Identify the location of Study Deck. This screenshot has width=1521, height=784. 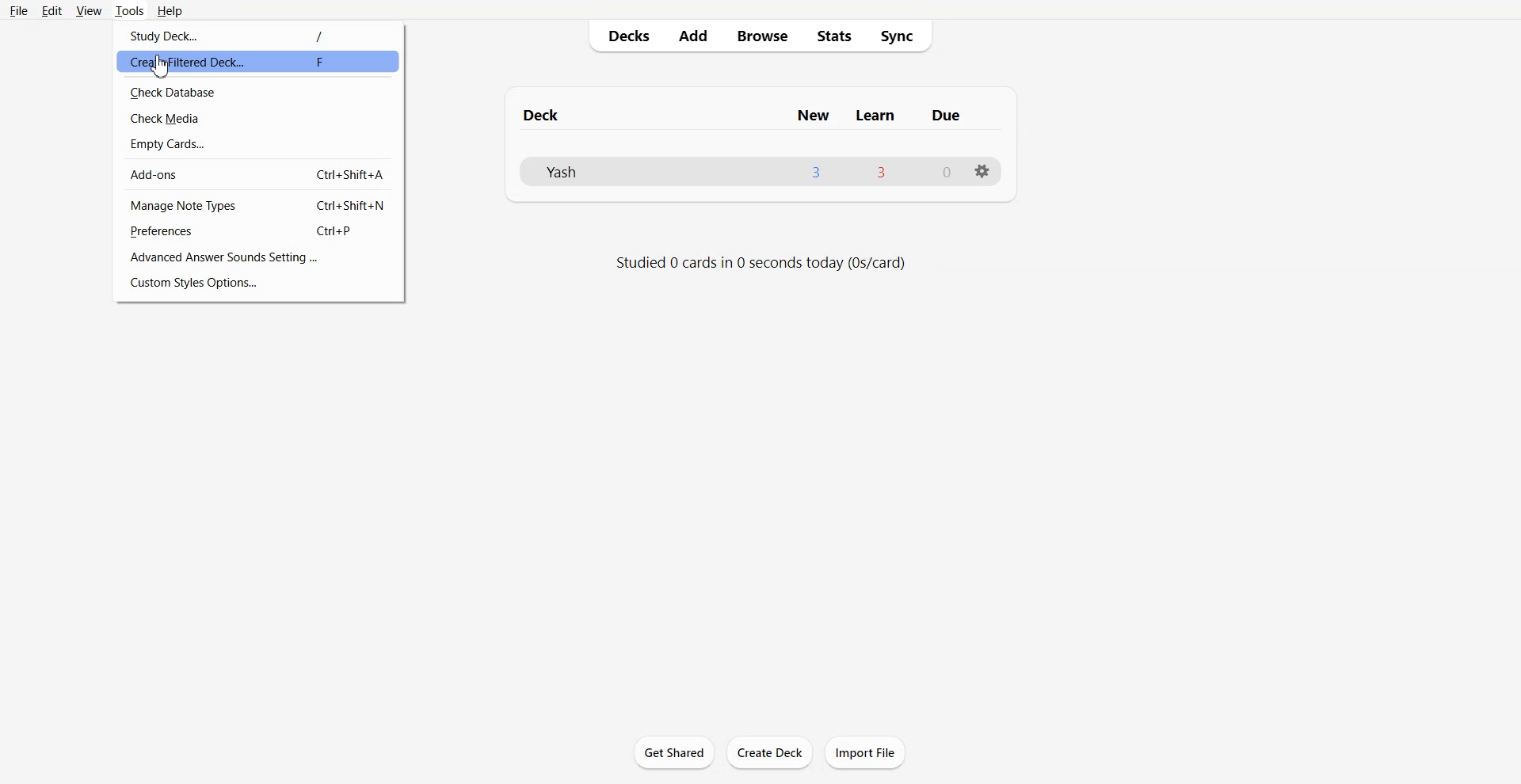
(258, 35).